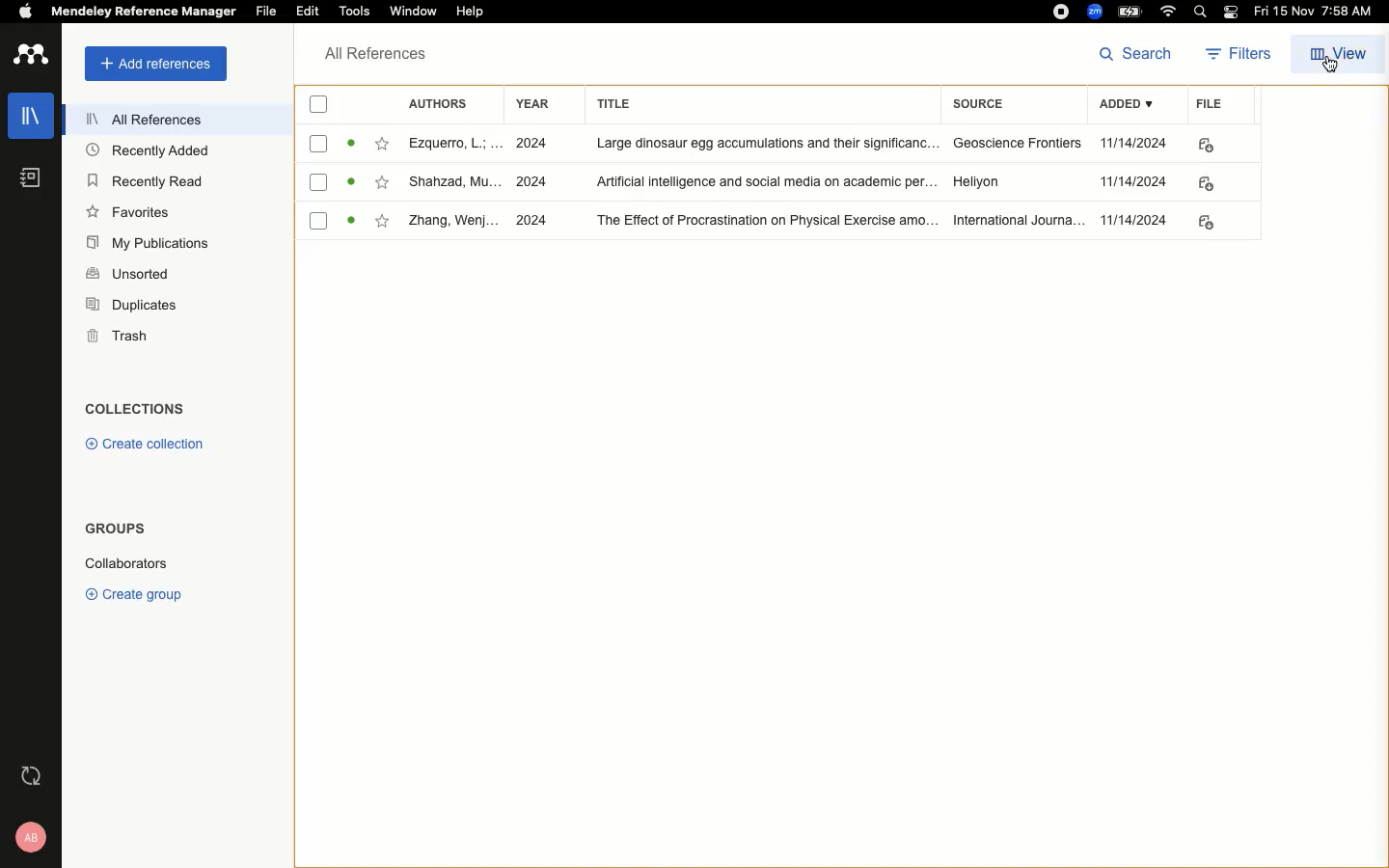 This screenshot has height=868, width=1389. What do you see at coordinates (142, 14) in the screenshot?
I see `Mendeley` at bounding box center [142, 14].